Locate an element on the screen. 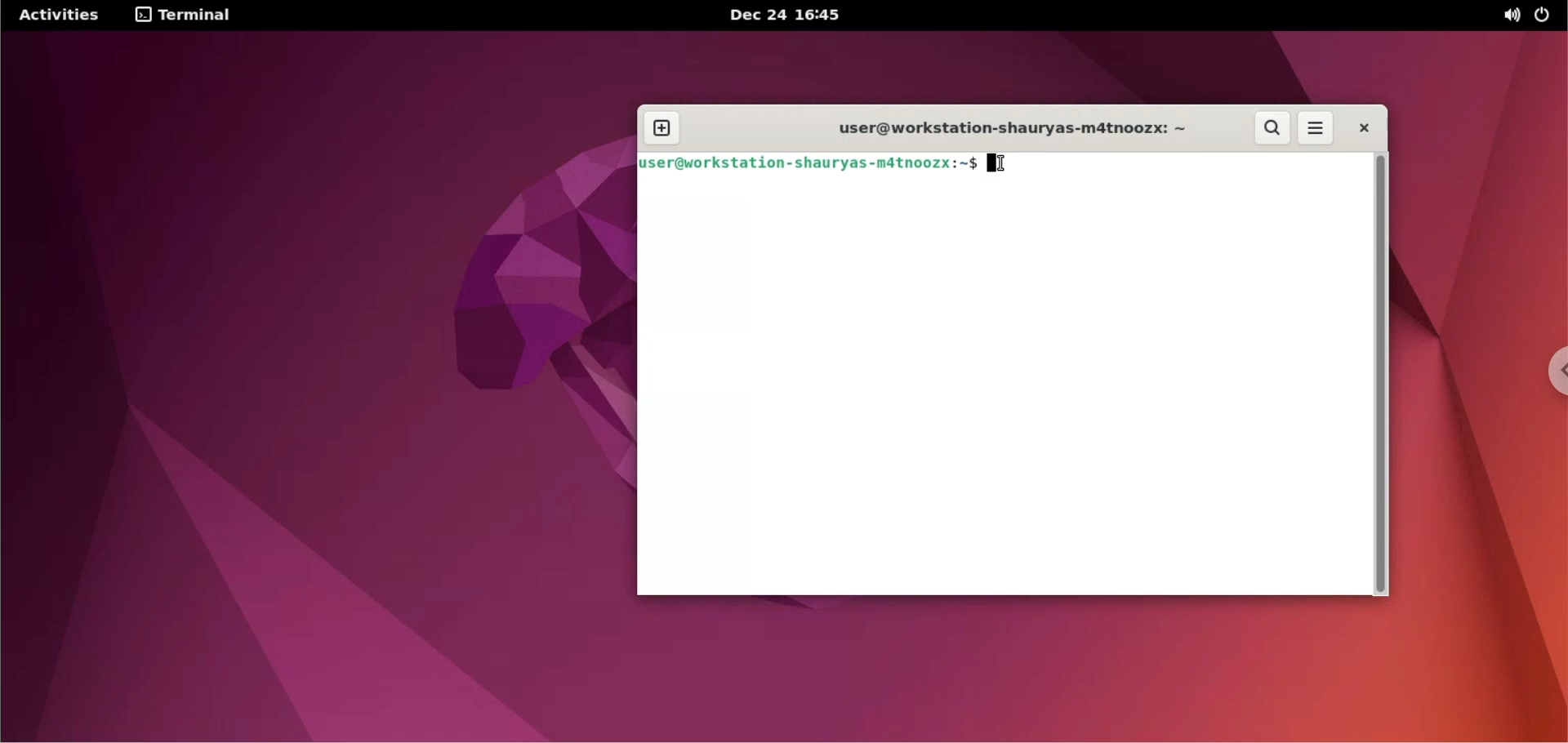 The height and width of the screenshot is (743, 1568). terminal code input box is located at coordinates (1002, 389).